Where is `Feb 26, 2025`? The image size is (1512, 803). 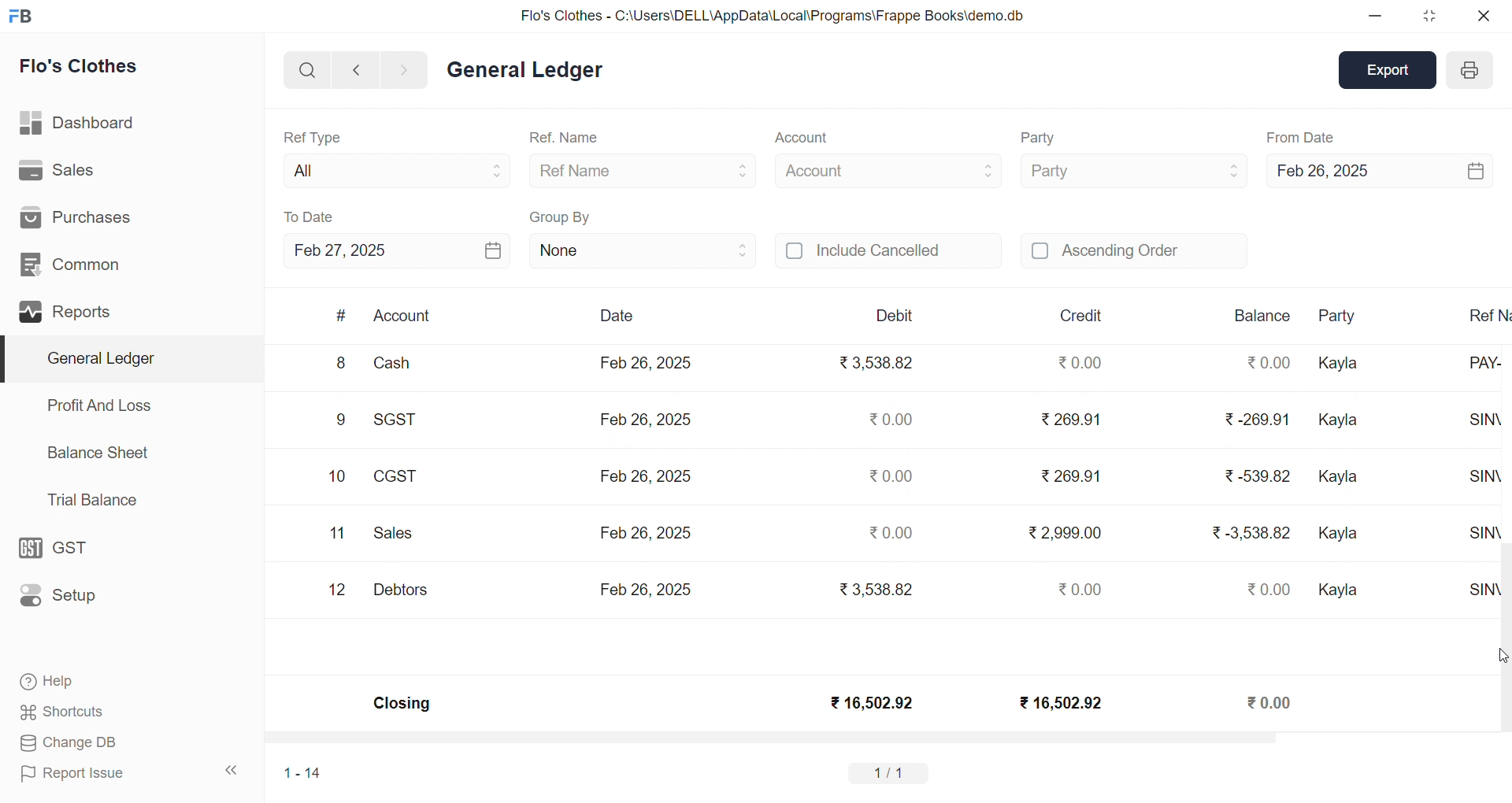
Feb 26, 2025 is located at coordinates (649, 417).